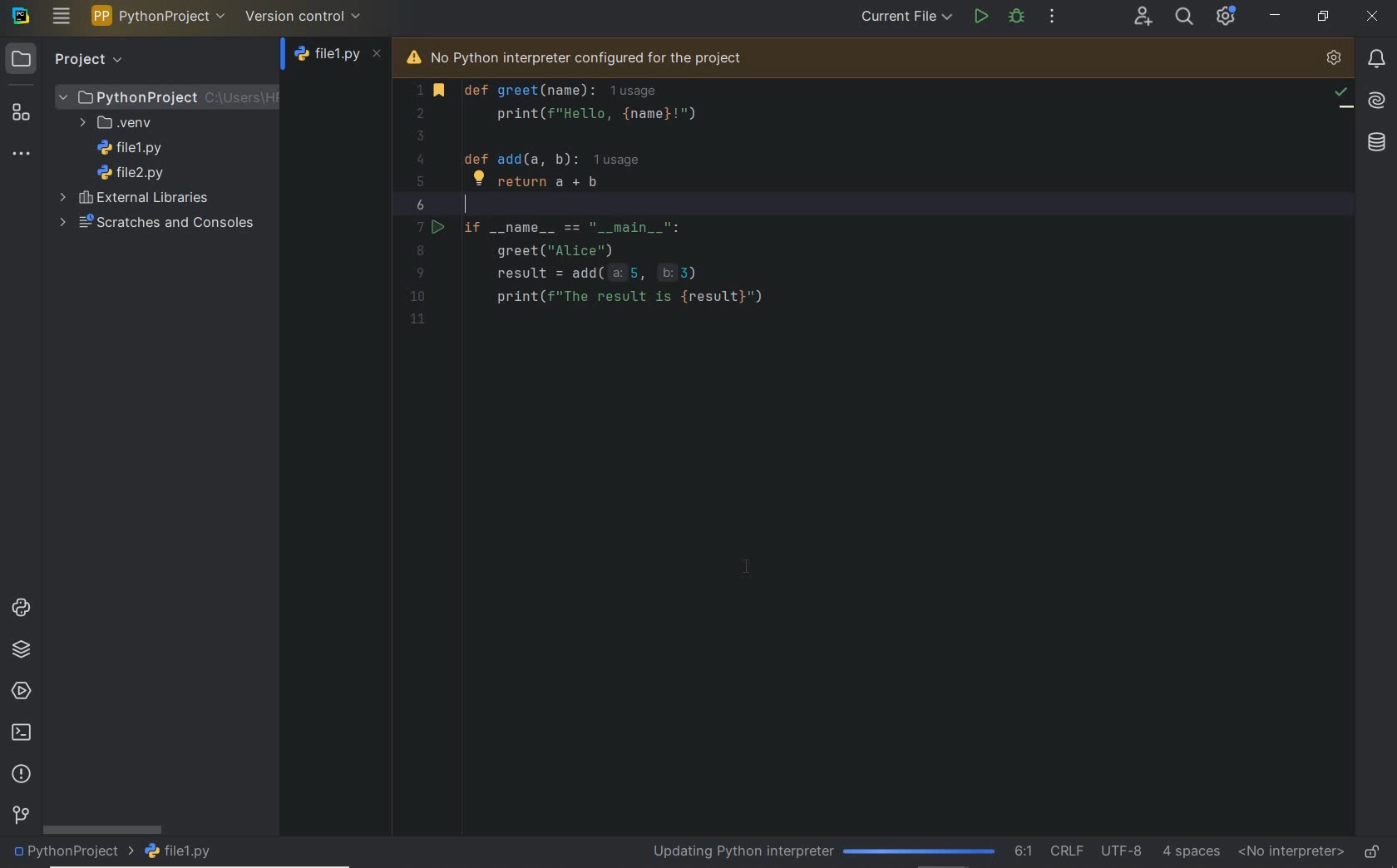 The height and width of the screenshot is (868, 1397). What do you see at coordinates (600, 56) in the screenshot?
I see `No python interpreter configured for the project` at bounding box center [600, 56].